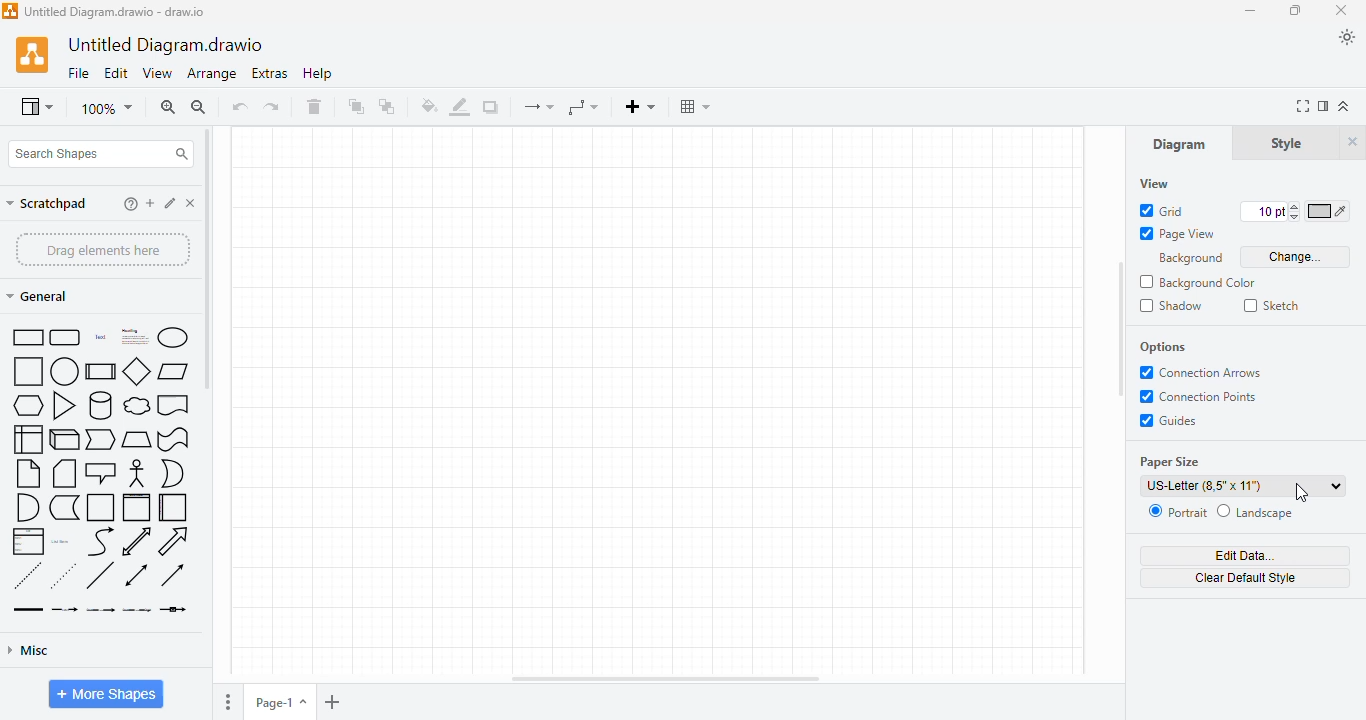 The image size is (1366, 720). What do you see at coordinates (173, 372) in the screenshot?
I see `parallelogram` at bounding box center [173, 372].